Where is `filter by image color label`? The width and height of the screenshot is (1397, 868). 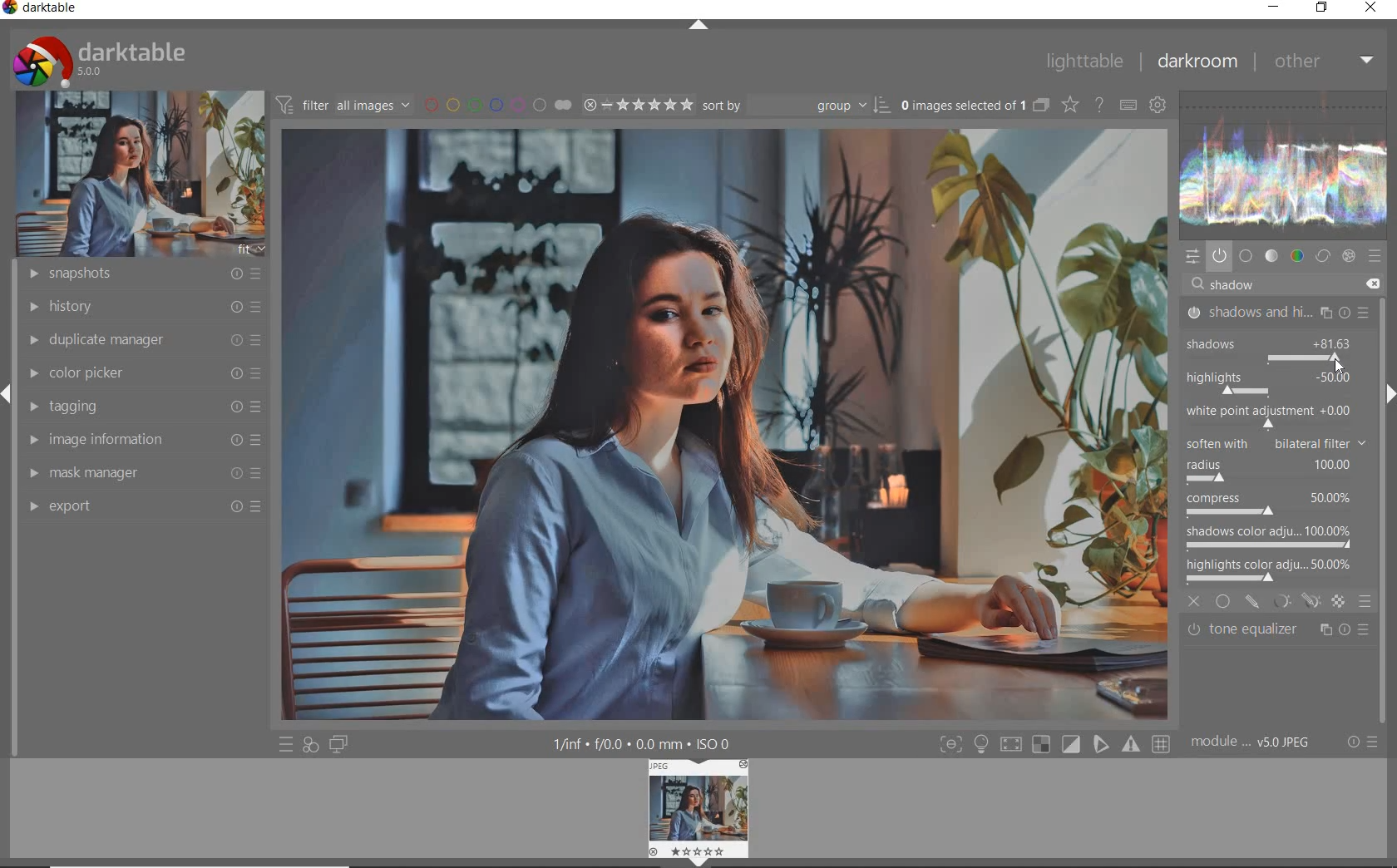
filter by image color label is located at coordinates (496, 103).